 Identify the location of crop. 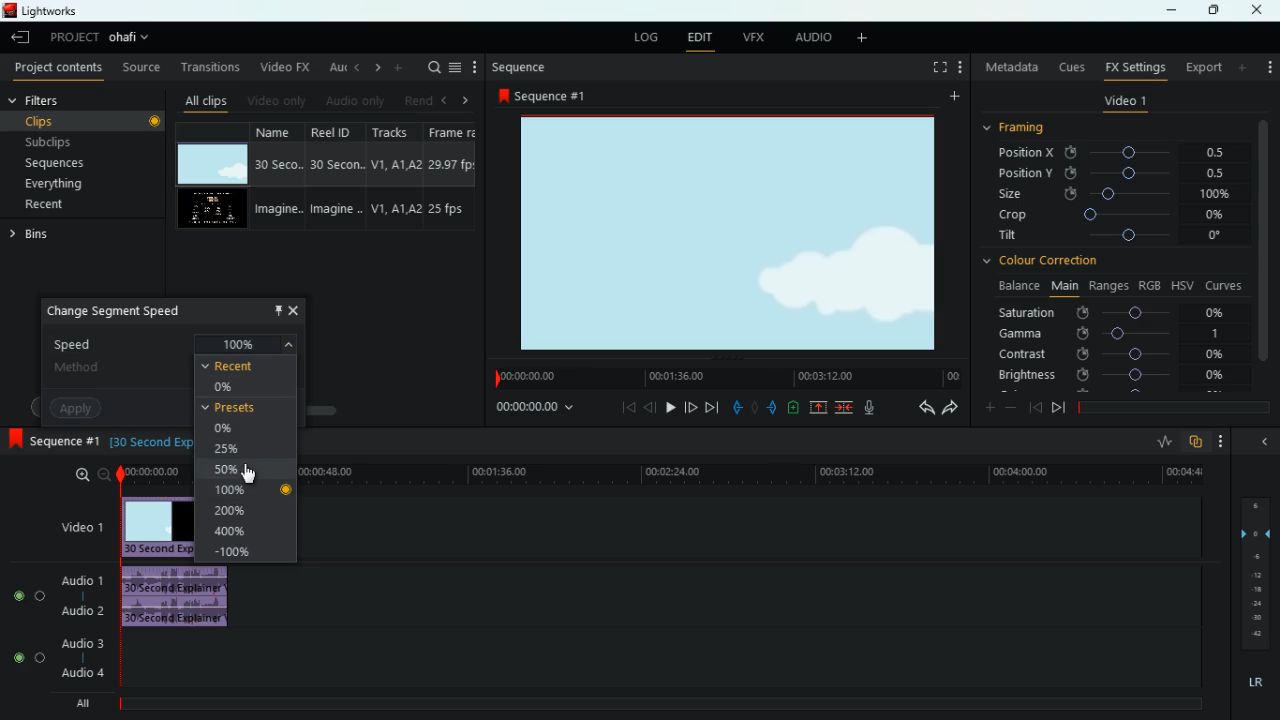
(1113, 217).